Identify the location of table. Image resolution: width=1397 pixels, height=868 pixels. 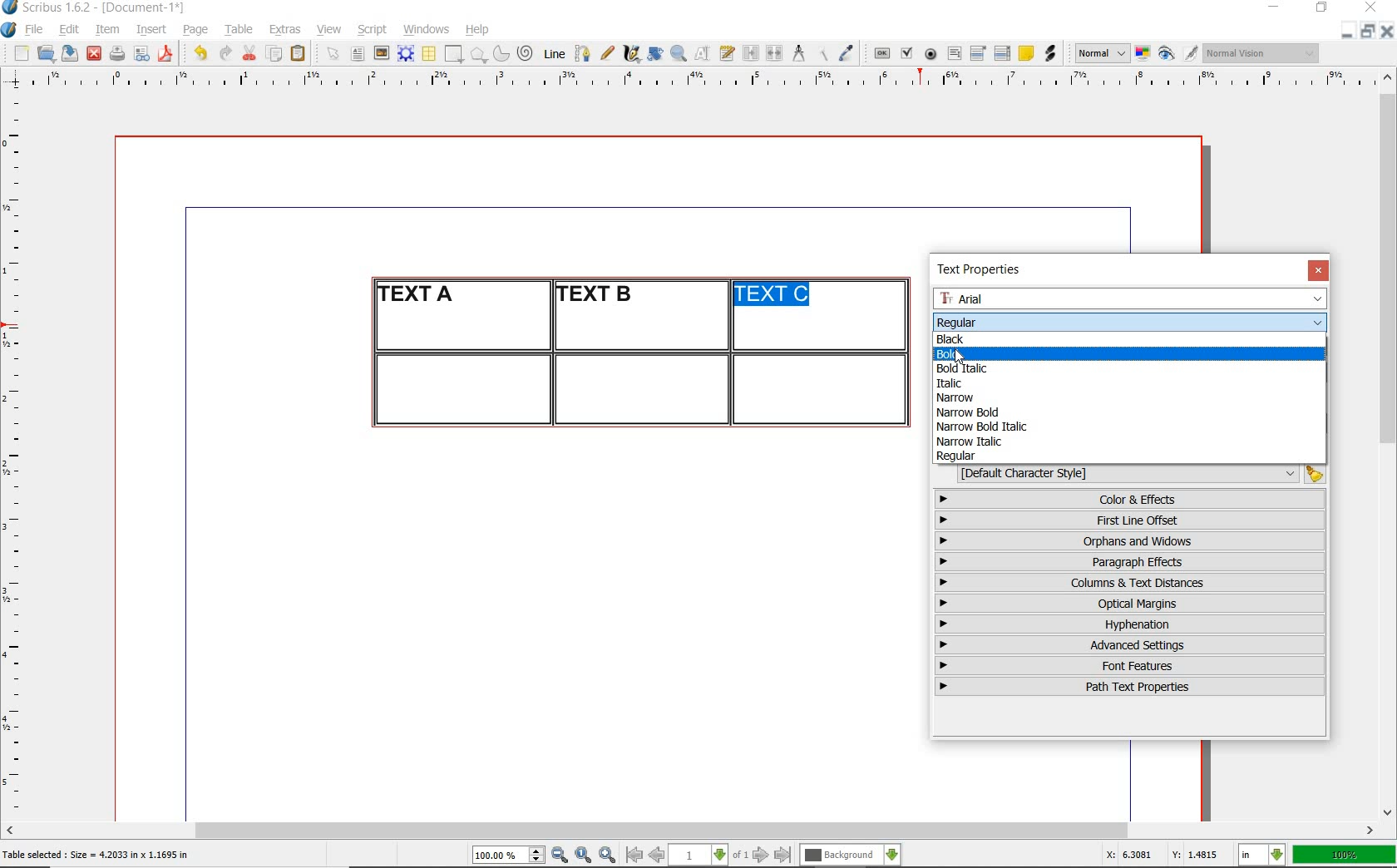
(239, 30).